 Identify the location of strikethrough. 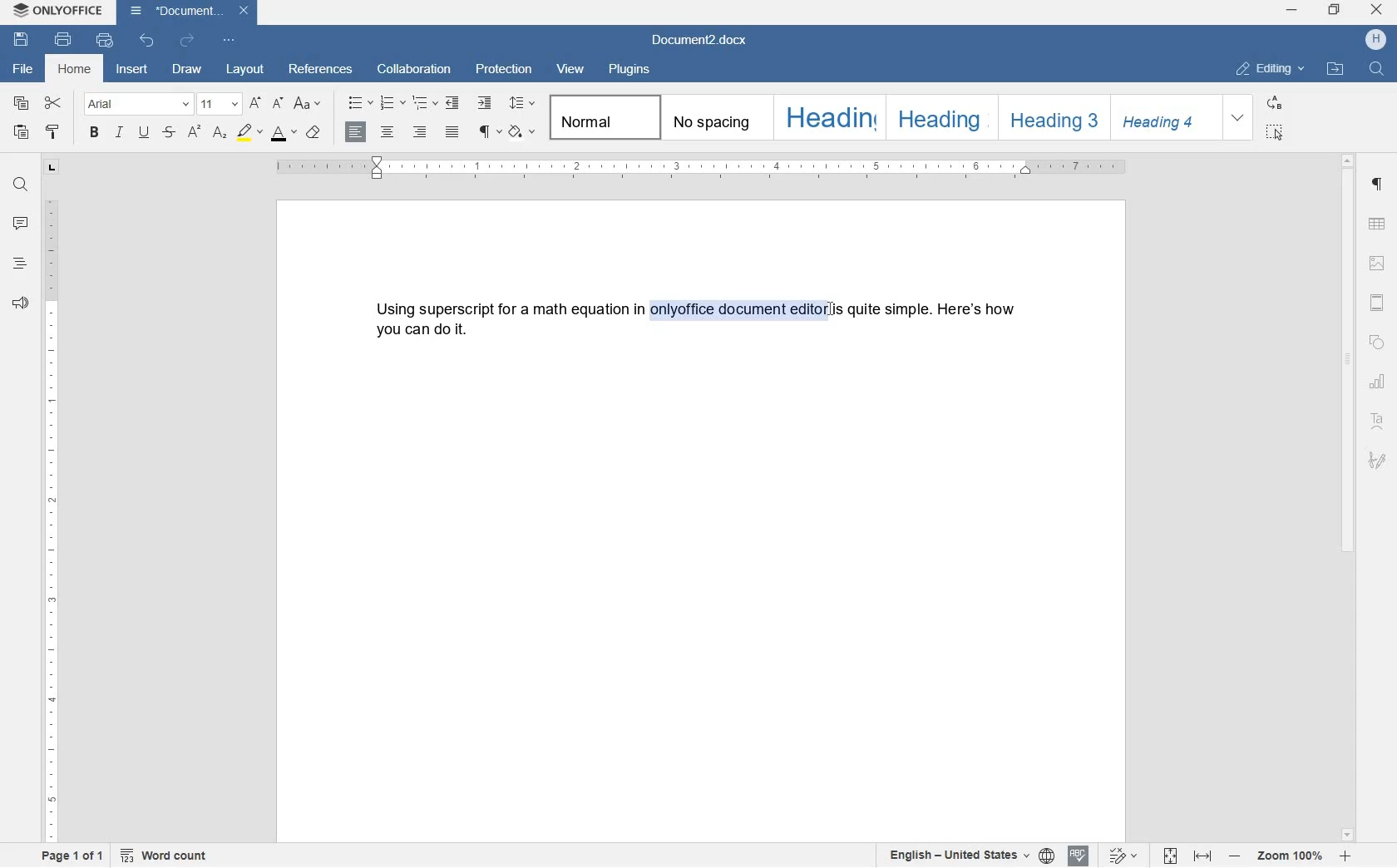
(169, 133).